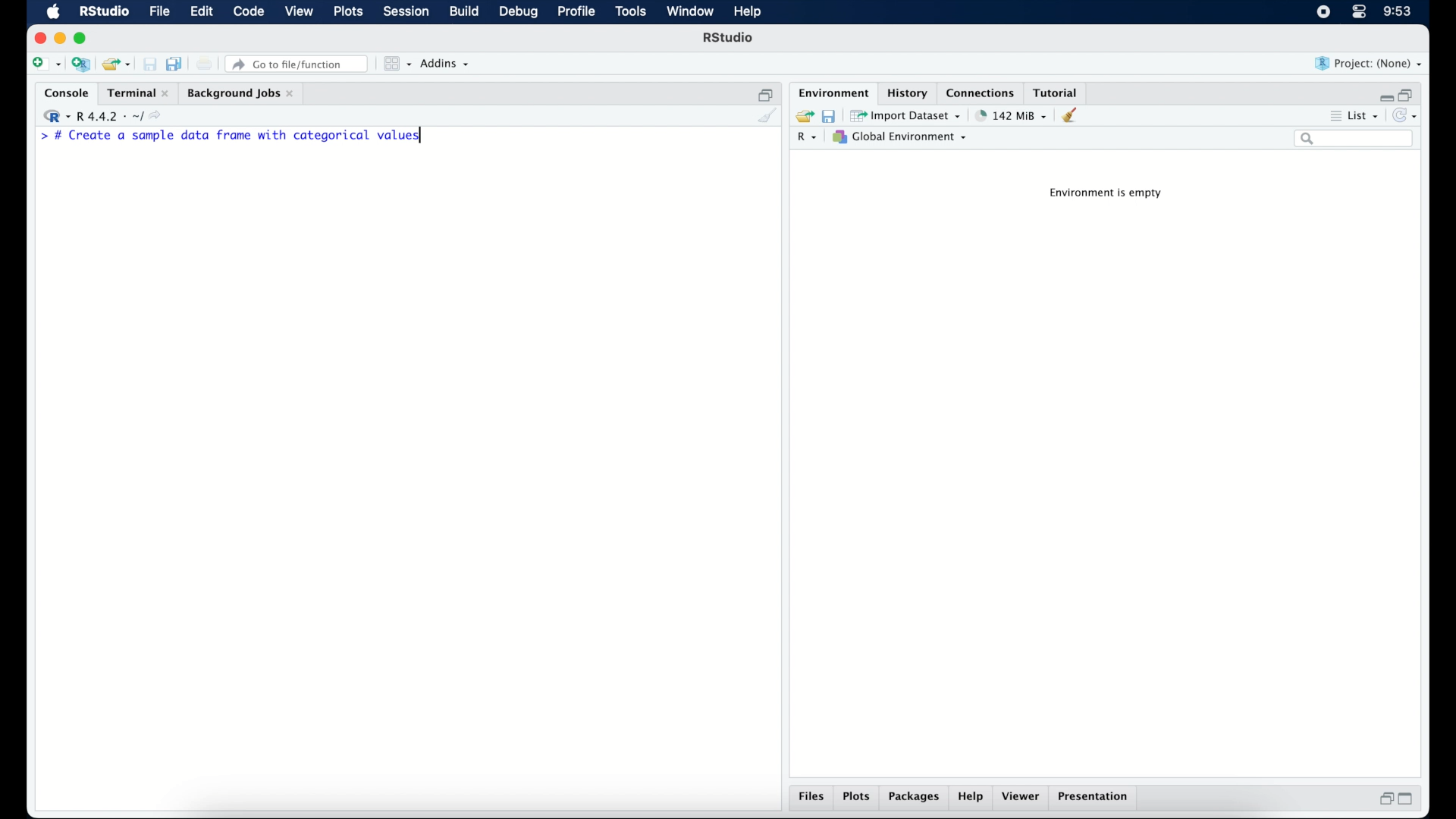  What do you see at coordinates (915, 799) in the screenshot?
I see `packages` at bounding box center [915, 799].